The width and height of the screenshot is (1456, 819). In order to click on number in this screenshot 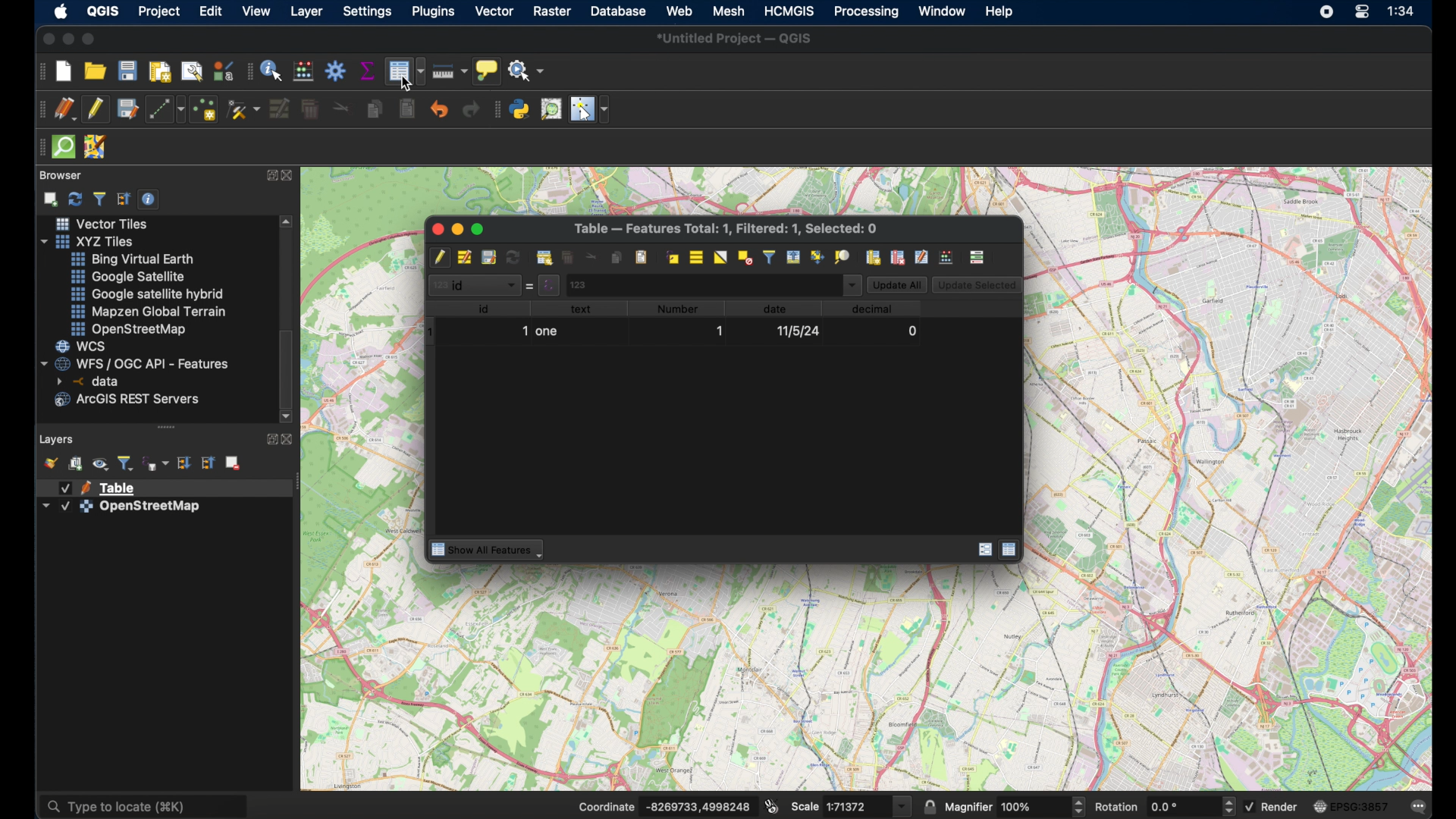, I will do `click(681, 309)`.